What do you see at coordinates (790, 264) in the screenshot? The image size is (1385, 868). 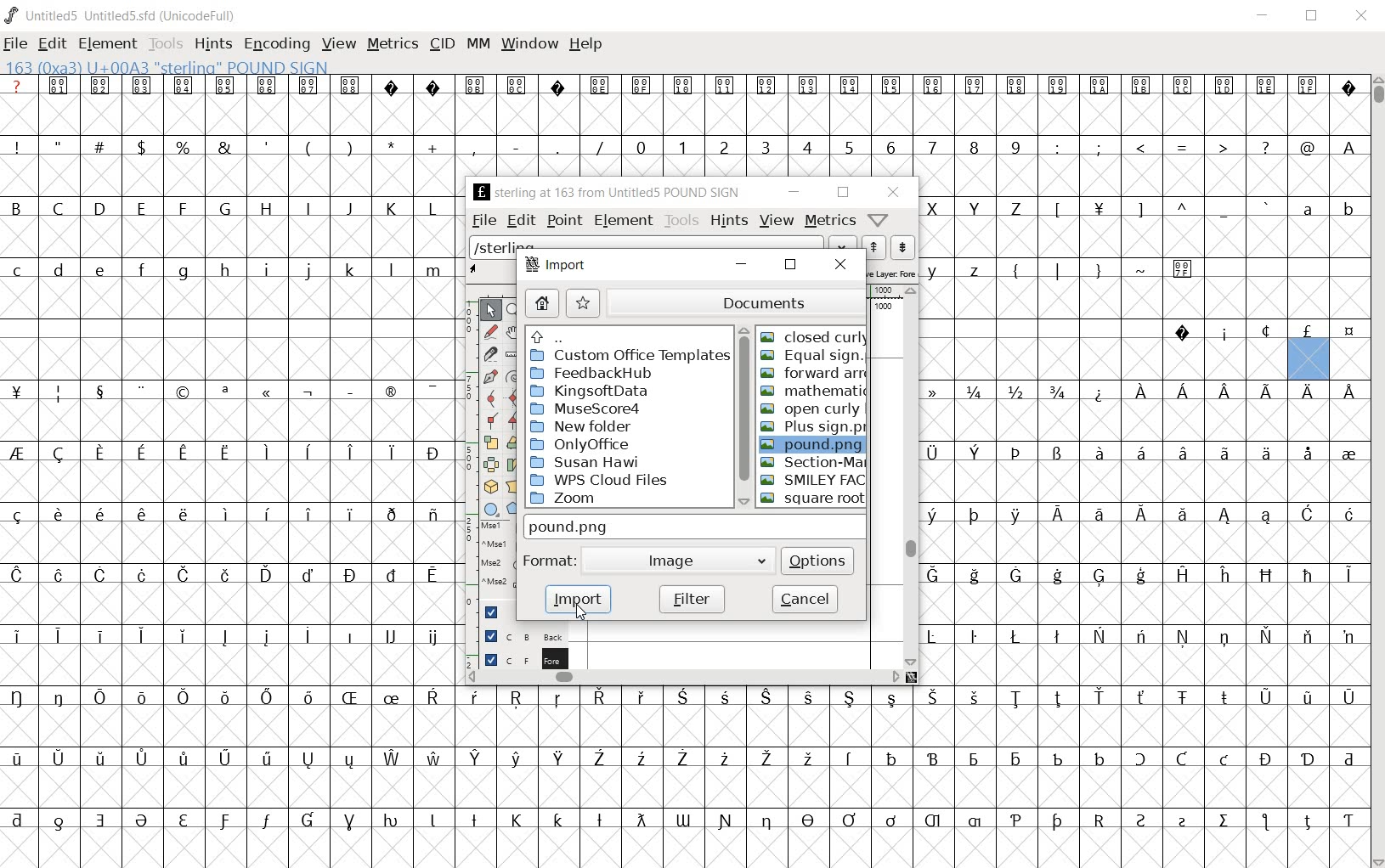 I see `restore` at bounding box center [790, 264].